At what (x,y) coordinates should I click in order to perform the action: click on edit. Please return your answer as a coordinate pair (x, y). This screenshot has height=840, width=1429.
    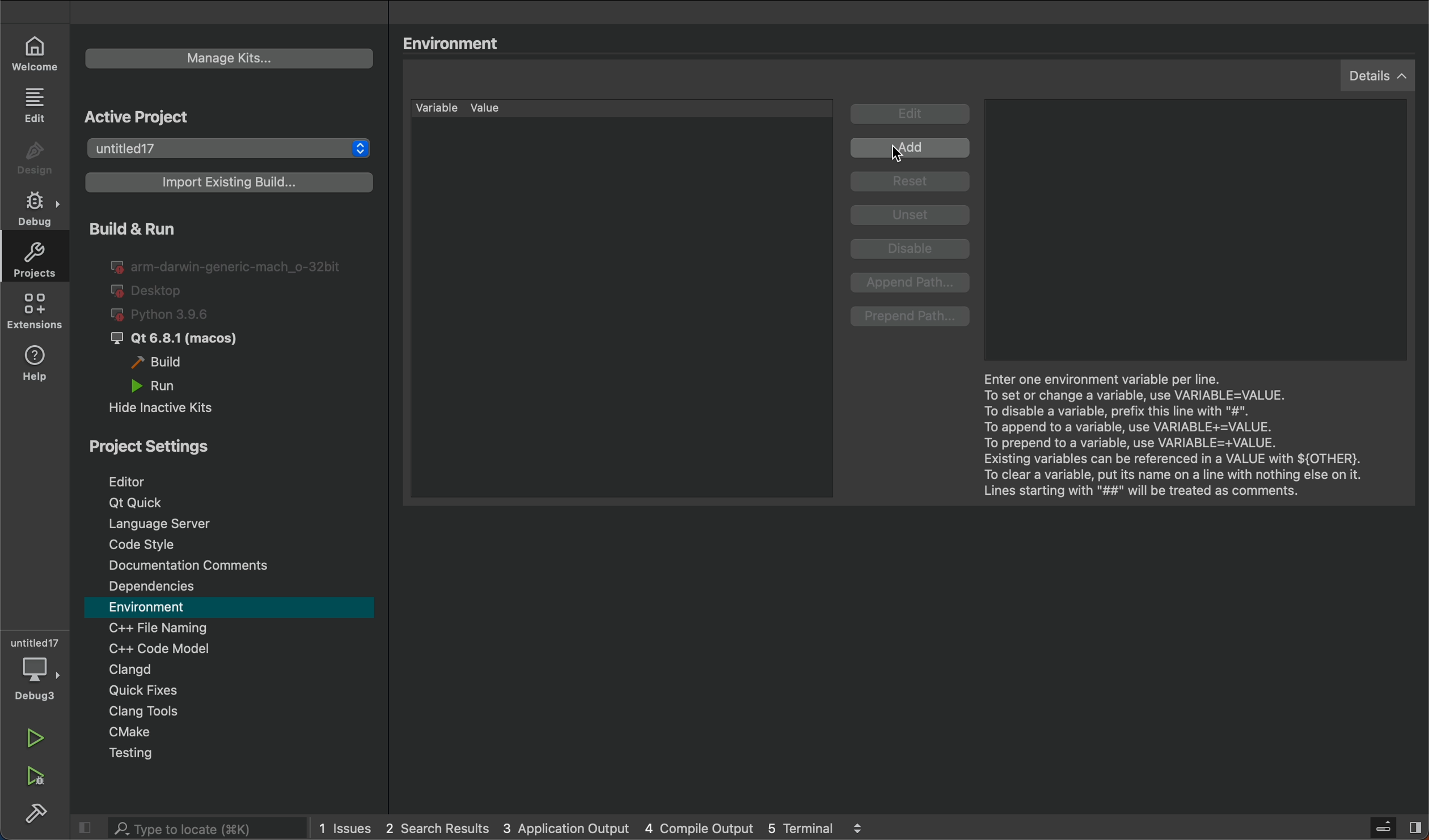
    Looking at the image, I should click on (39, 104).